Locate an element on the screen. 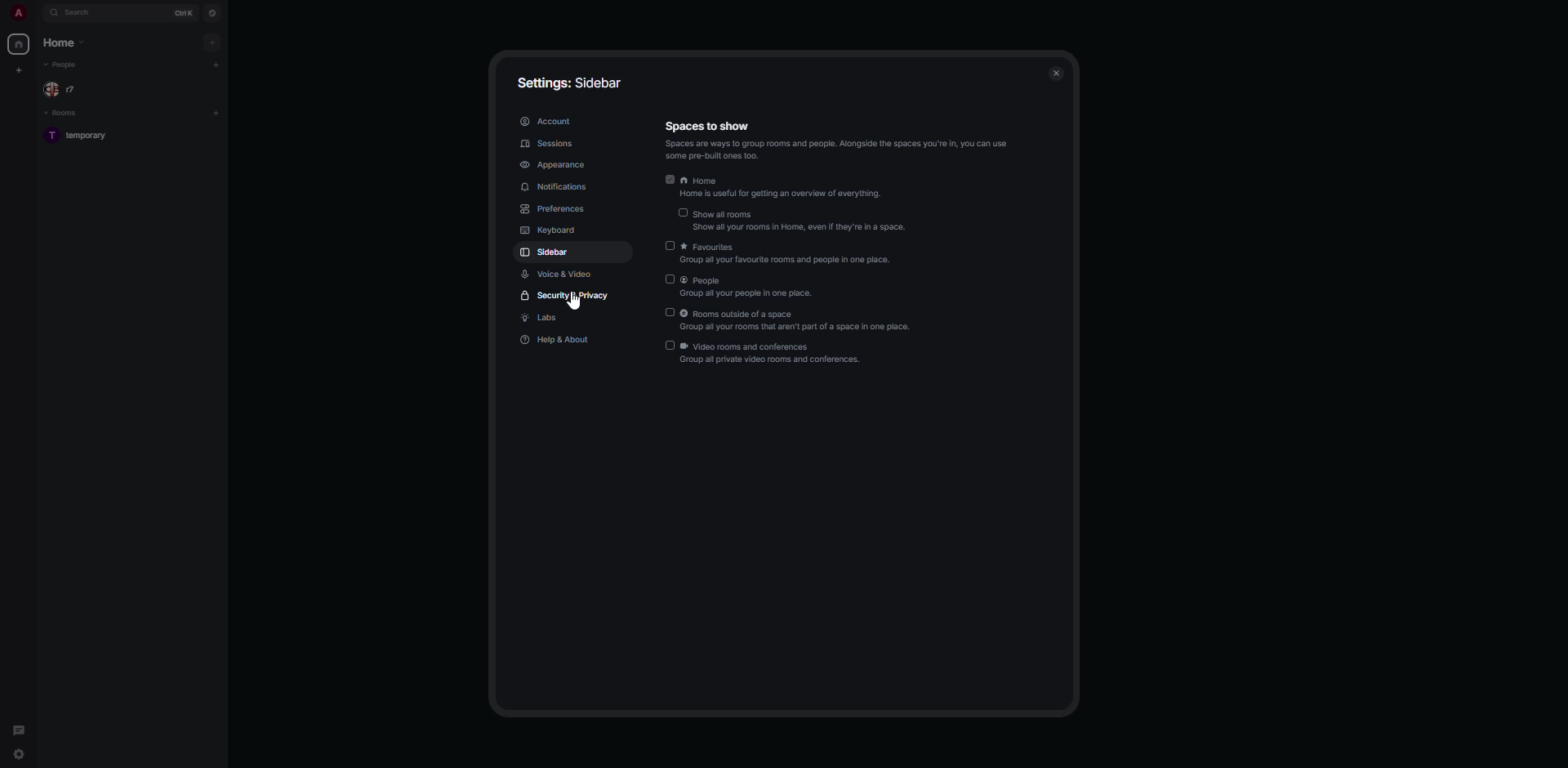  add is located at coordinates (212, 42).